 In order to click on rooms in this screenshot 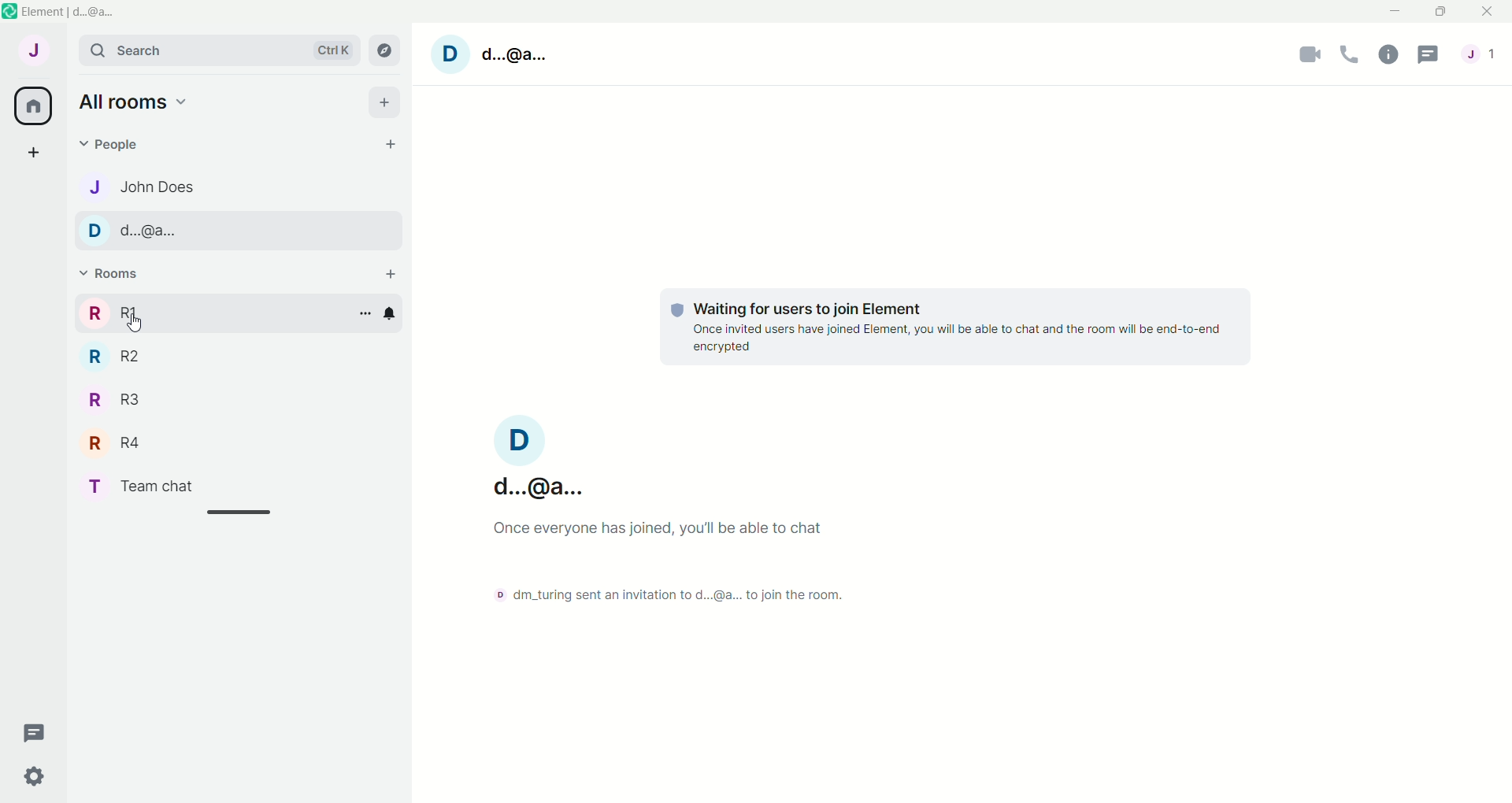, I will do `click(135, 313)`.